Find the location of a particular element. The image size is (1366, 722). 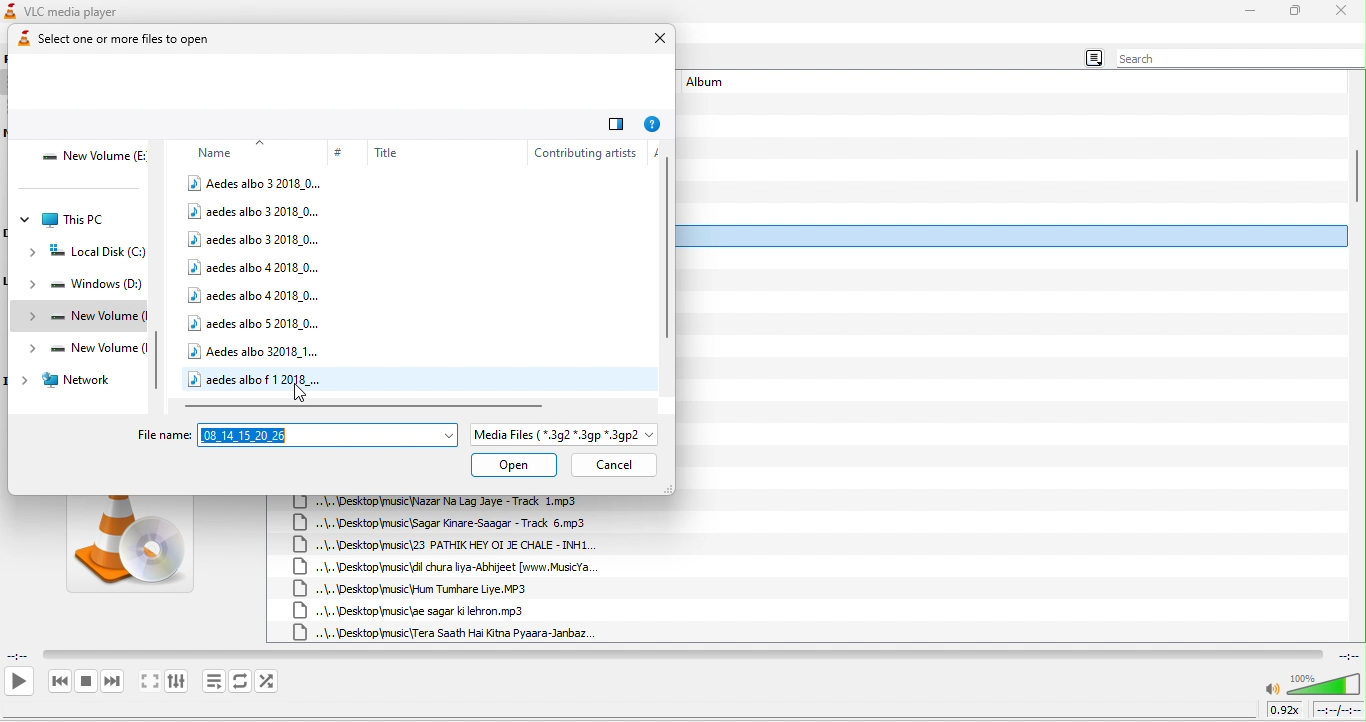

aedes albof120)8_... is located at coordinates (258, 378).